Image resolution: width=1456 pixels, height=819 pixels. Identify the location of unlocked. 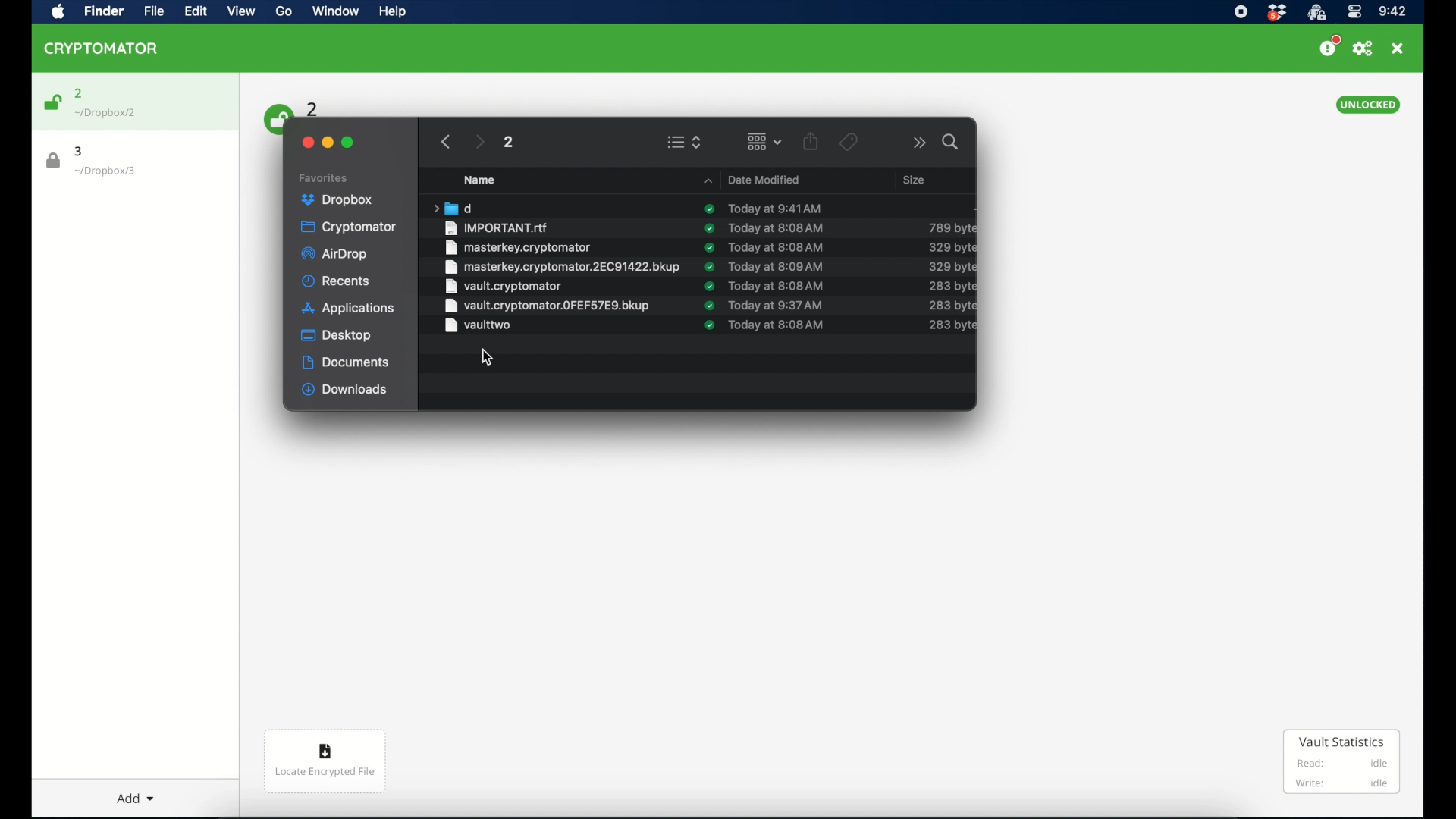
(1367, 105).